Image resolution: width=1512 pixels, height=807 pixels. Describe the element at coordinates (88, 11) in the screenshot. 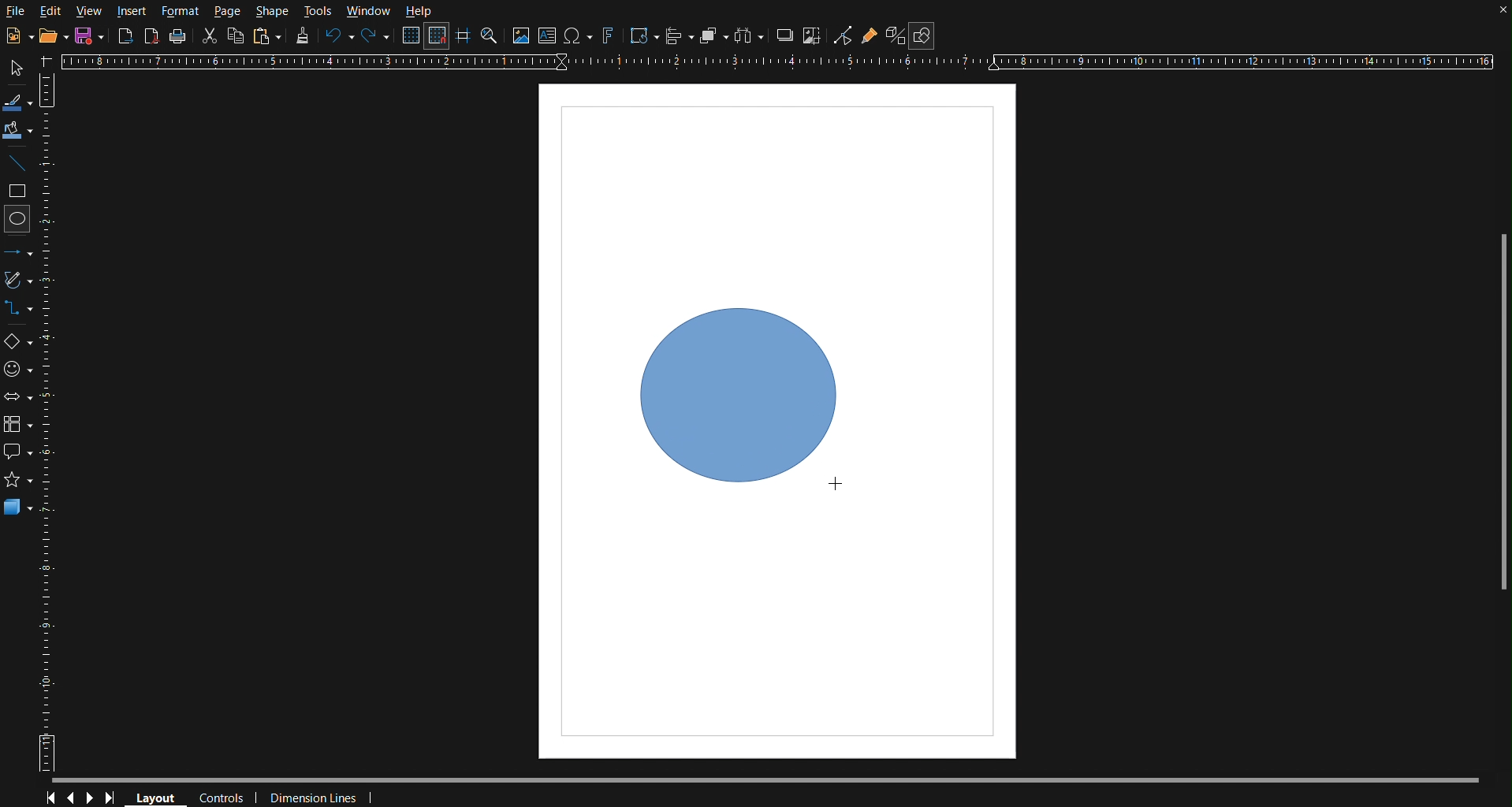

I see `View` at that location.